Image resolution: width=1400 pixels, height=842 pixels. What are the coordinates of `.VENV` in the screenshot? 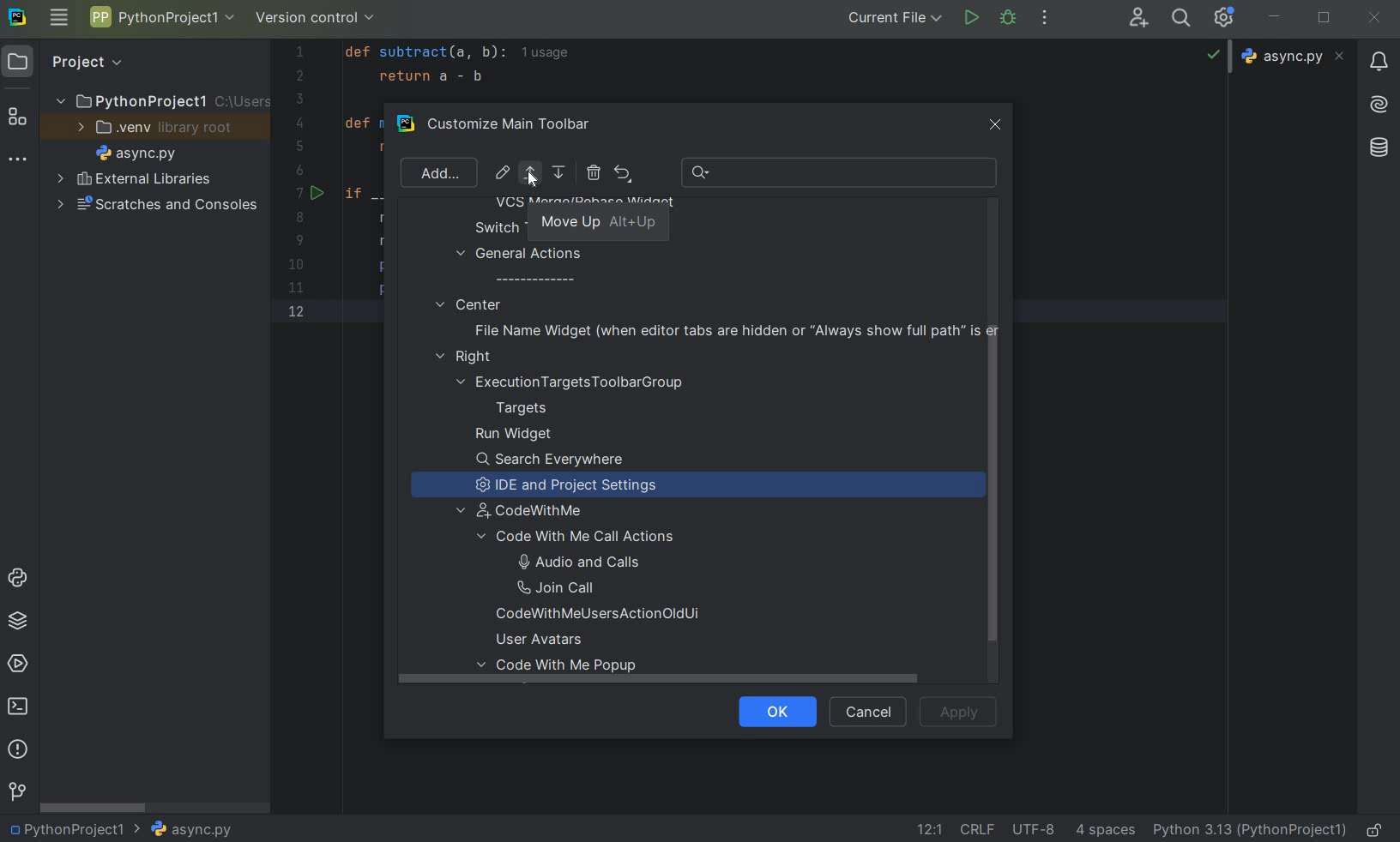 It's located at (155, 128).